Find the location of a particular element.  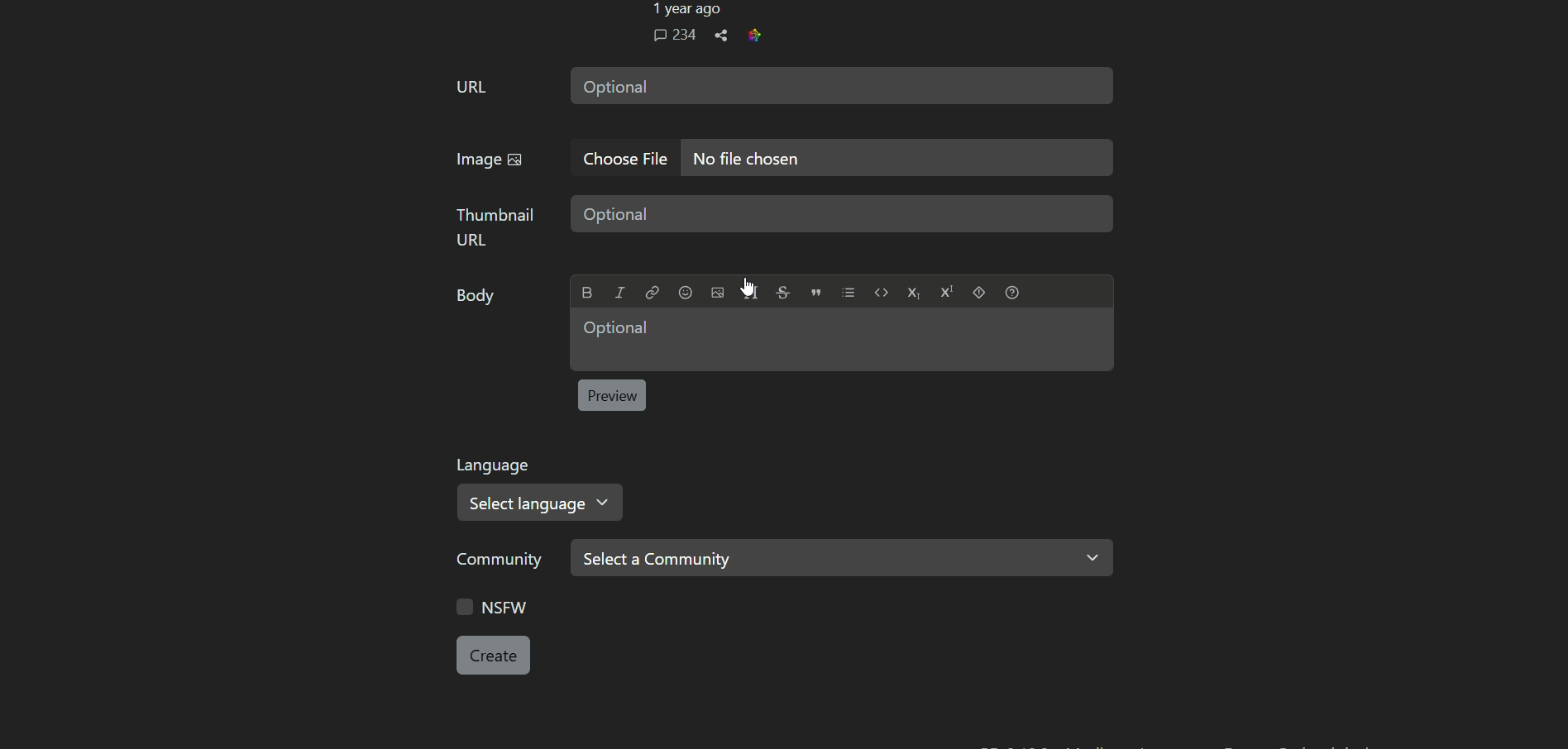

Bold is located at coordinates (588, 293).